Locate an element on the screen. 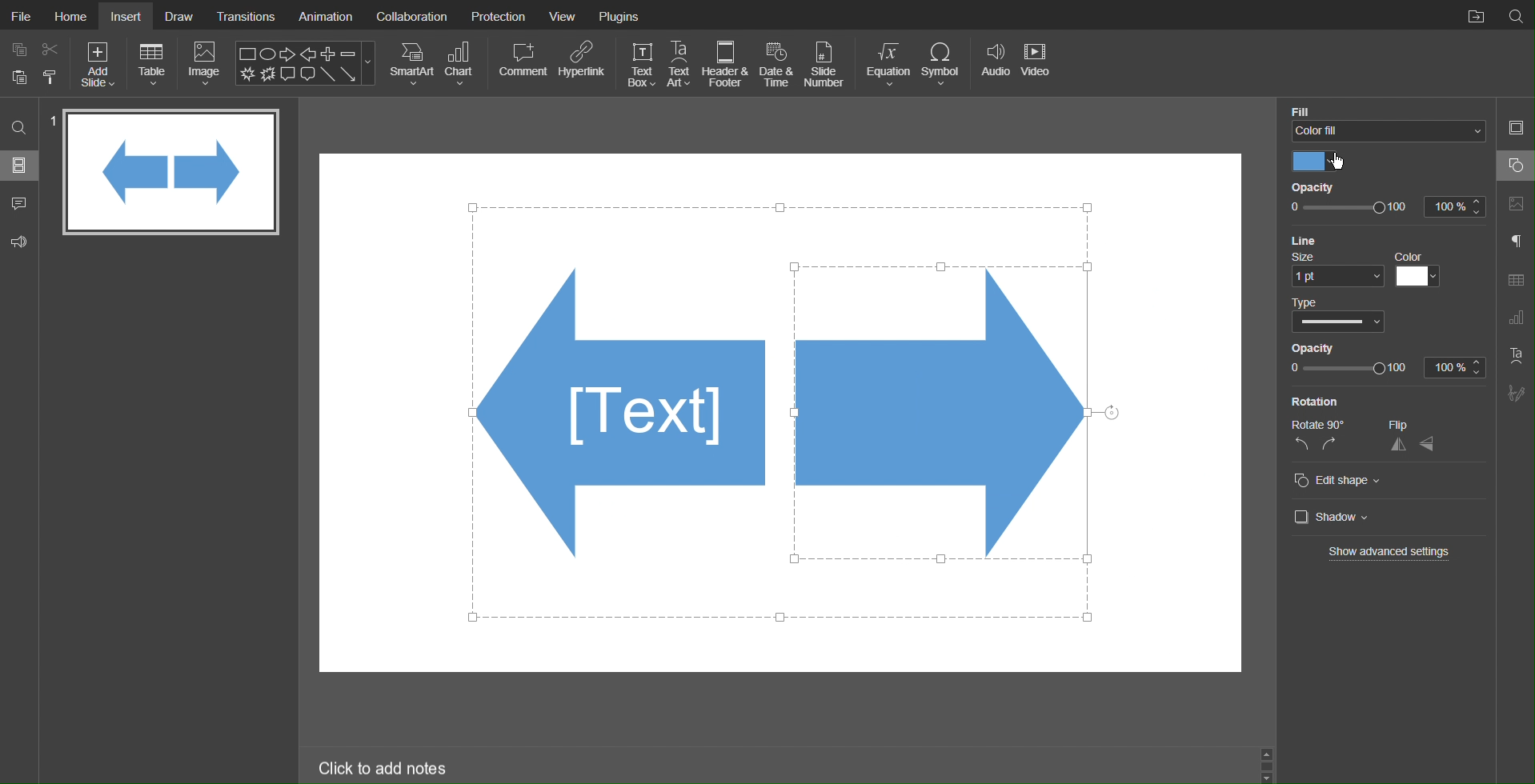  100% opacity is located at coordinates (1388, 209).